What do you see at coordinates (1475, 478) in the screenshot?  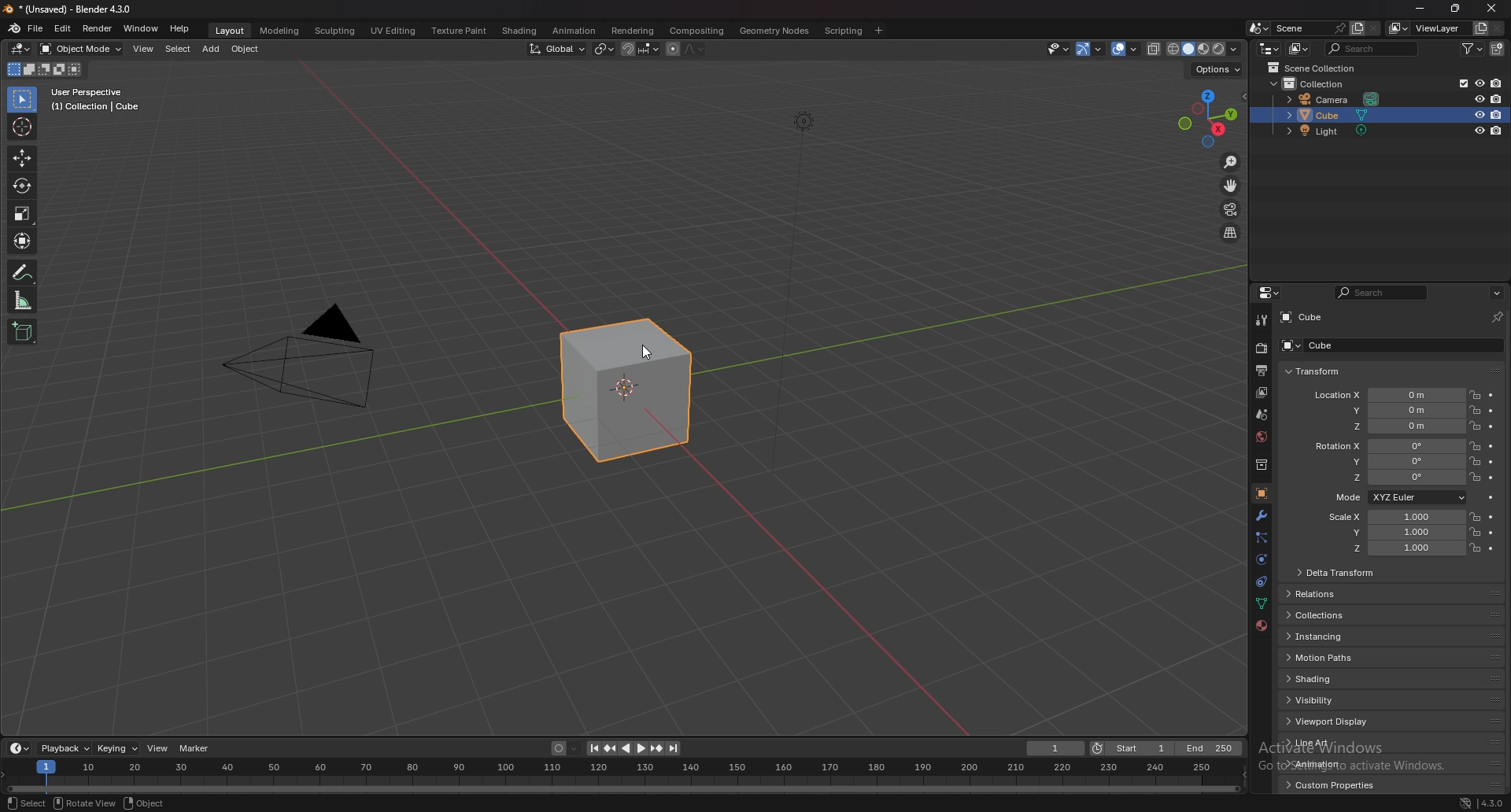 I see `lock` at bounding box center [1475, 478].